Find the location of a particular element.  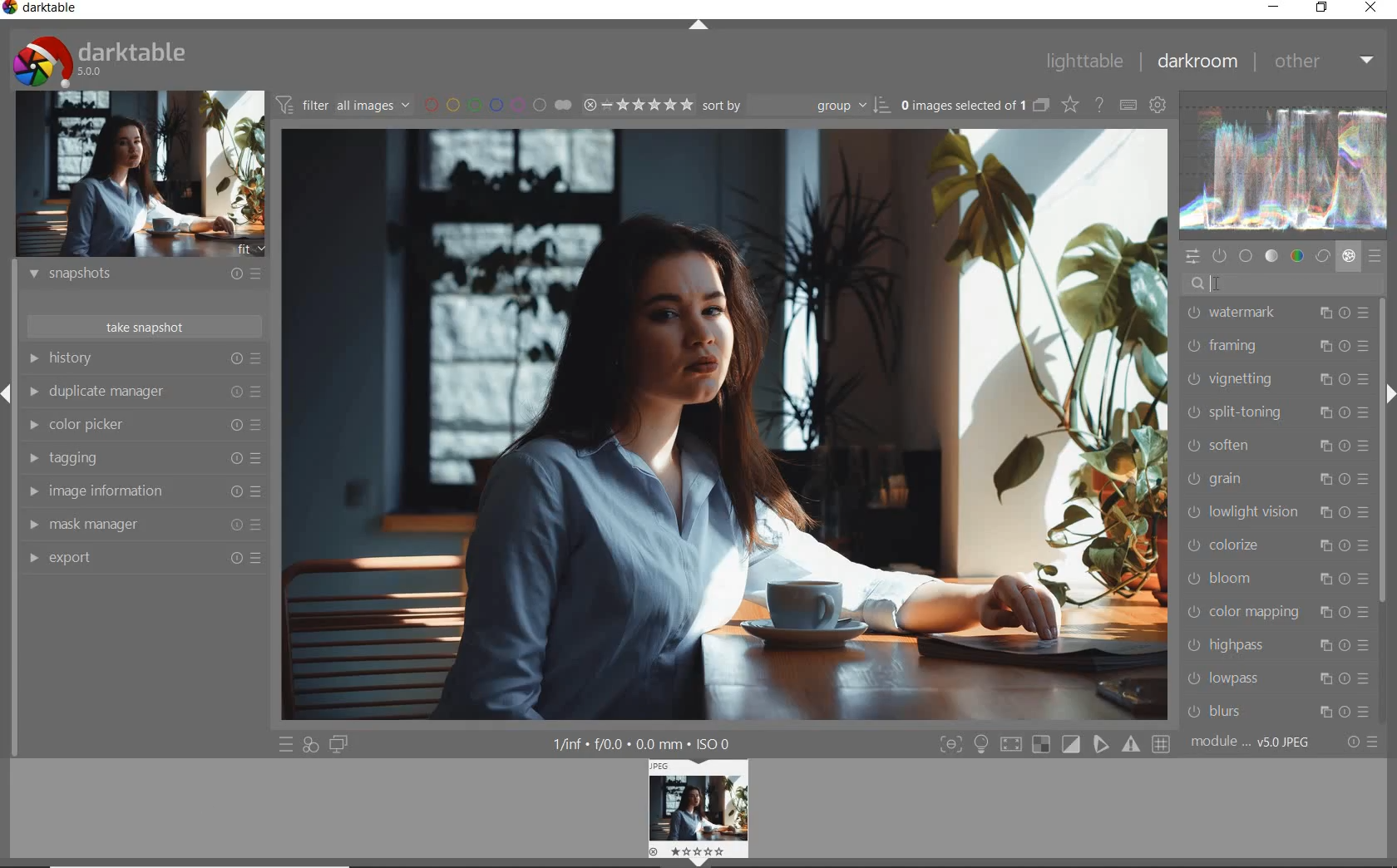

lighttable is located at coordinates (1085, 60).